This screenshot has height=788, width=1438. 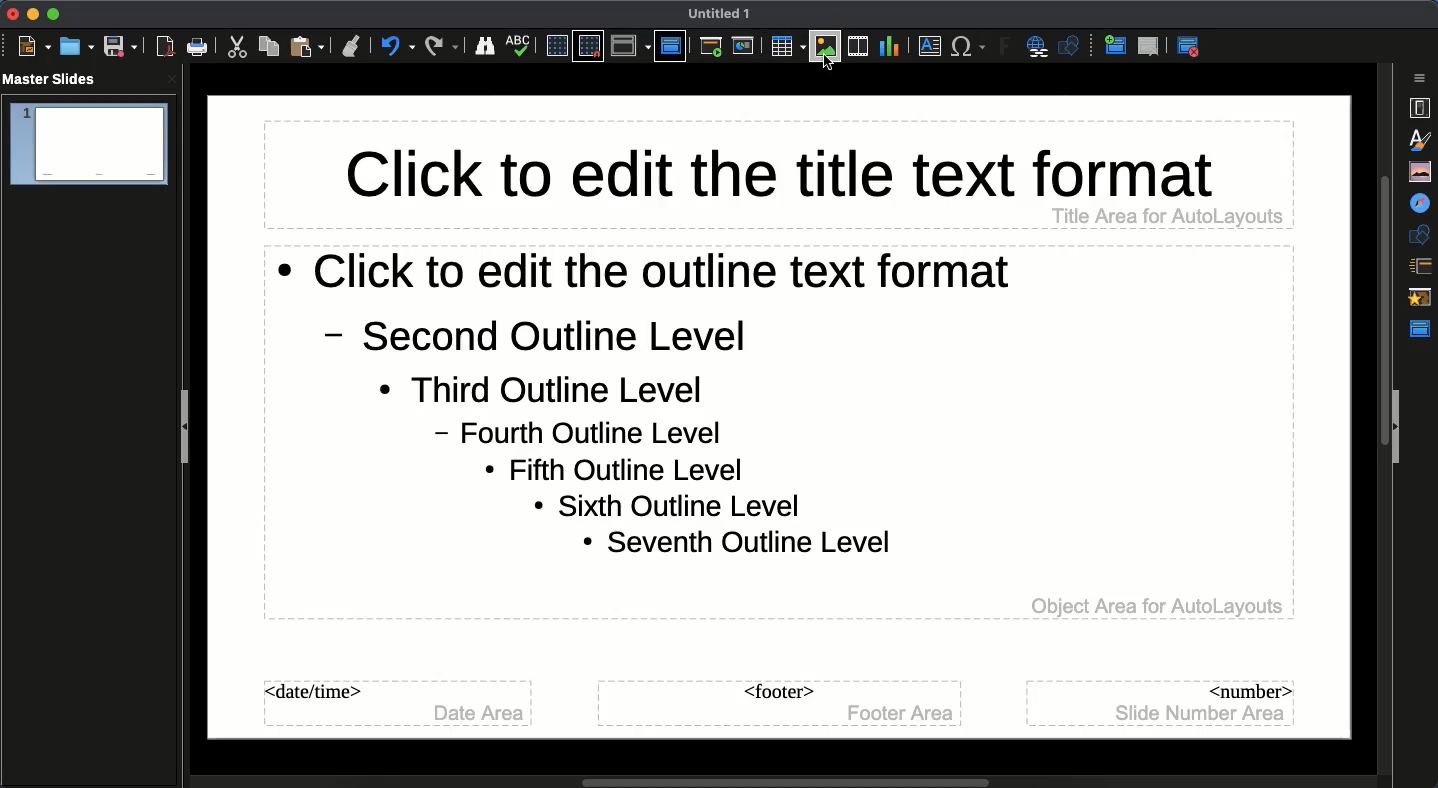 What do you see at coordinates (485, 47) in the screenshot?
I see `Finder` at bounding box center [485, 47].